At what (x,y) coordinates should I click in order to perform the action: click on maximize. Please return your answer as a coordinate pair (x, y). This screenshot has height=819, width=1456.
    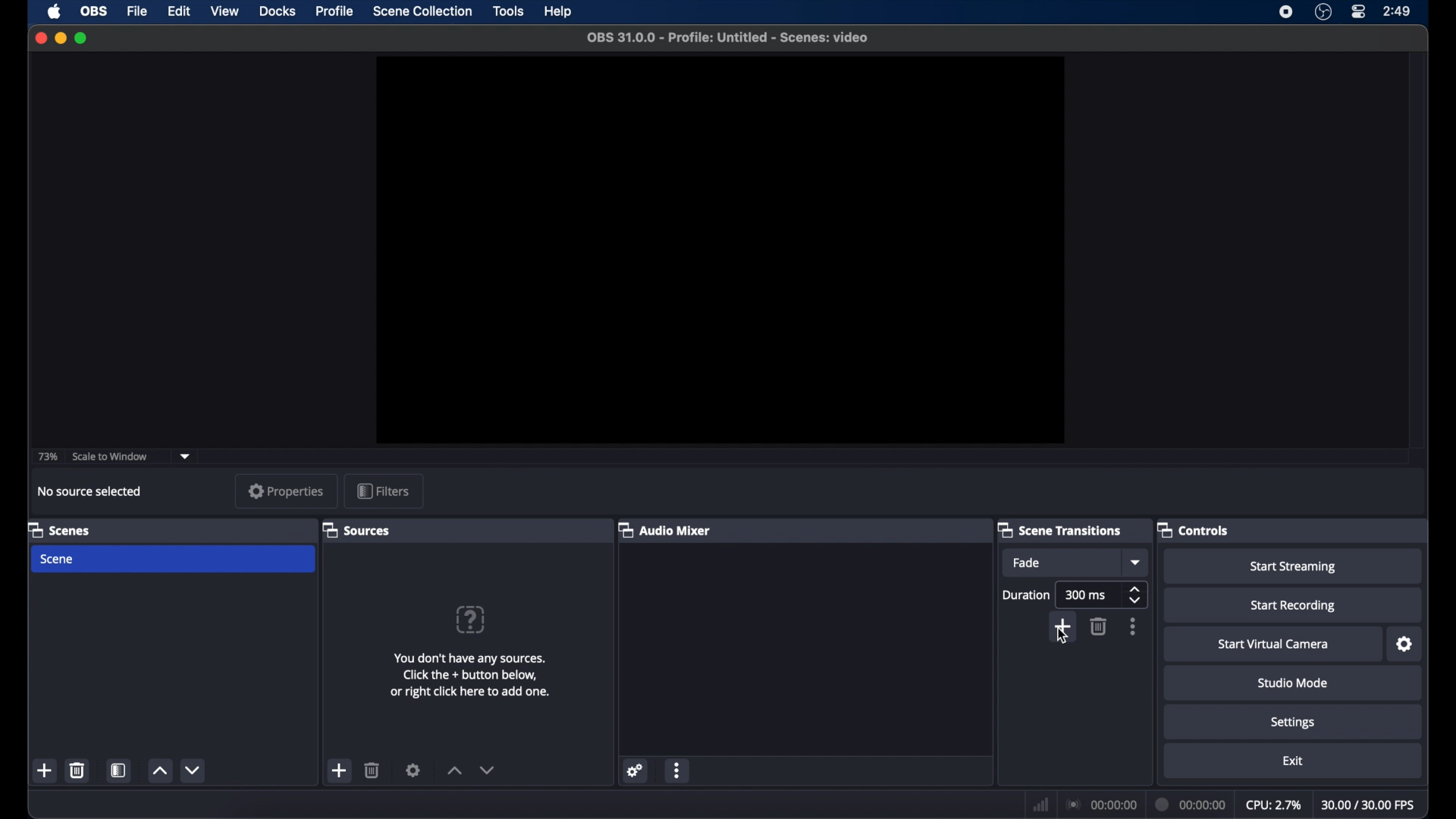
    Looking at the image, I should click on (82, 39).